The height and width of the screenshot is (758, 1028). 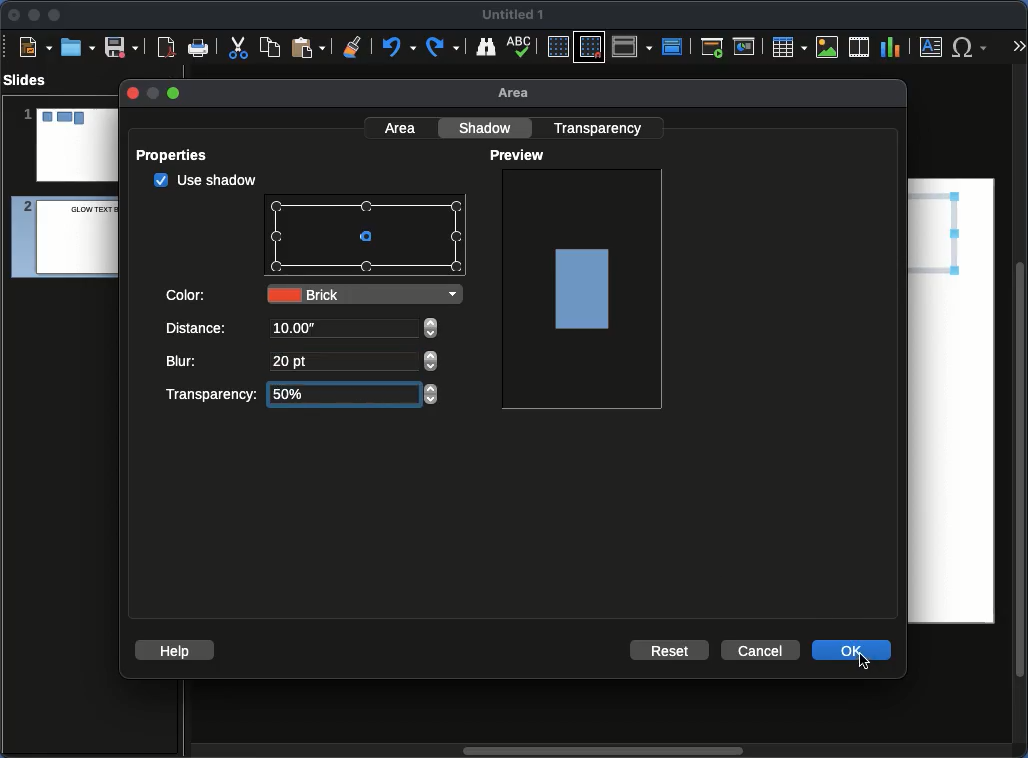 What do you see at coordinates (55, 17) in the screenshot?
I see `Maximize` at bounding box center [55, 17].